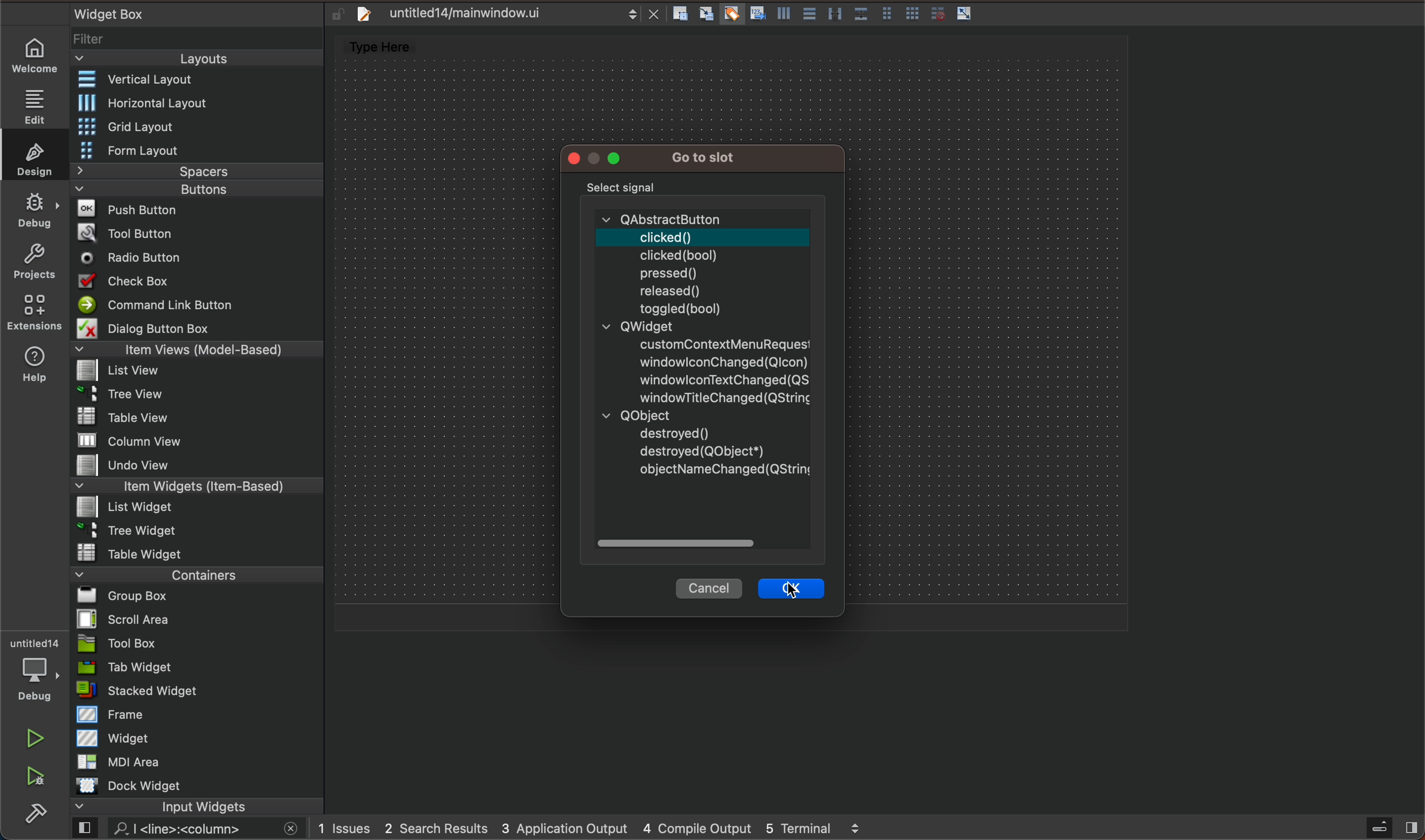  What do you see at coordinates (709, 587) in the screenshot?
I see `cancel` at bounding box center [709, 587].